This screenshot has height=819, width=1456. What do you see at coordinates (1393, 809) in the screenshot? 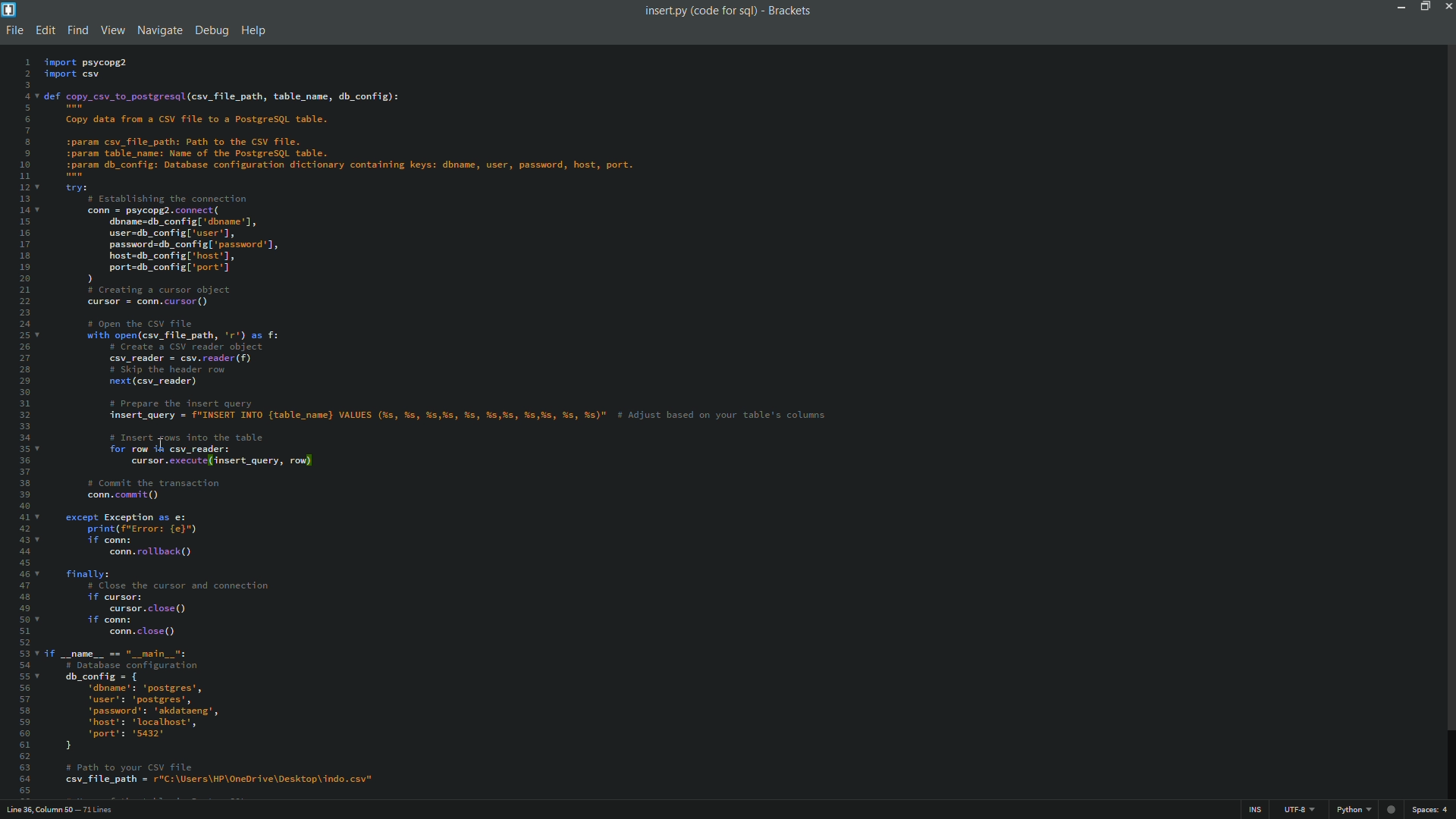
I see `web` at bounding box center [1393, 809].